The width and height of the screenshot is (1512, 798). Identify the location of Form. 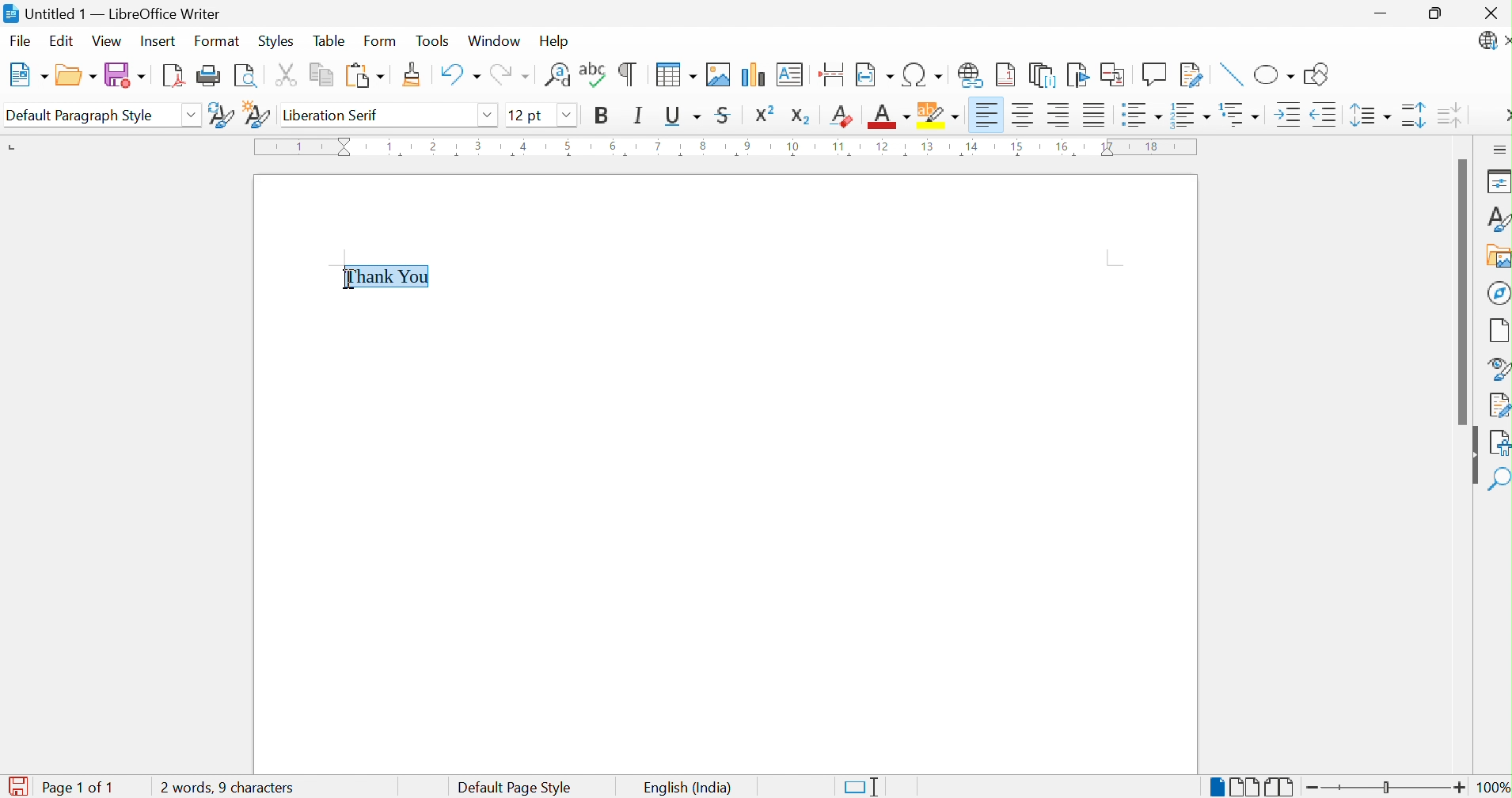
(382, 41).